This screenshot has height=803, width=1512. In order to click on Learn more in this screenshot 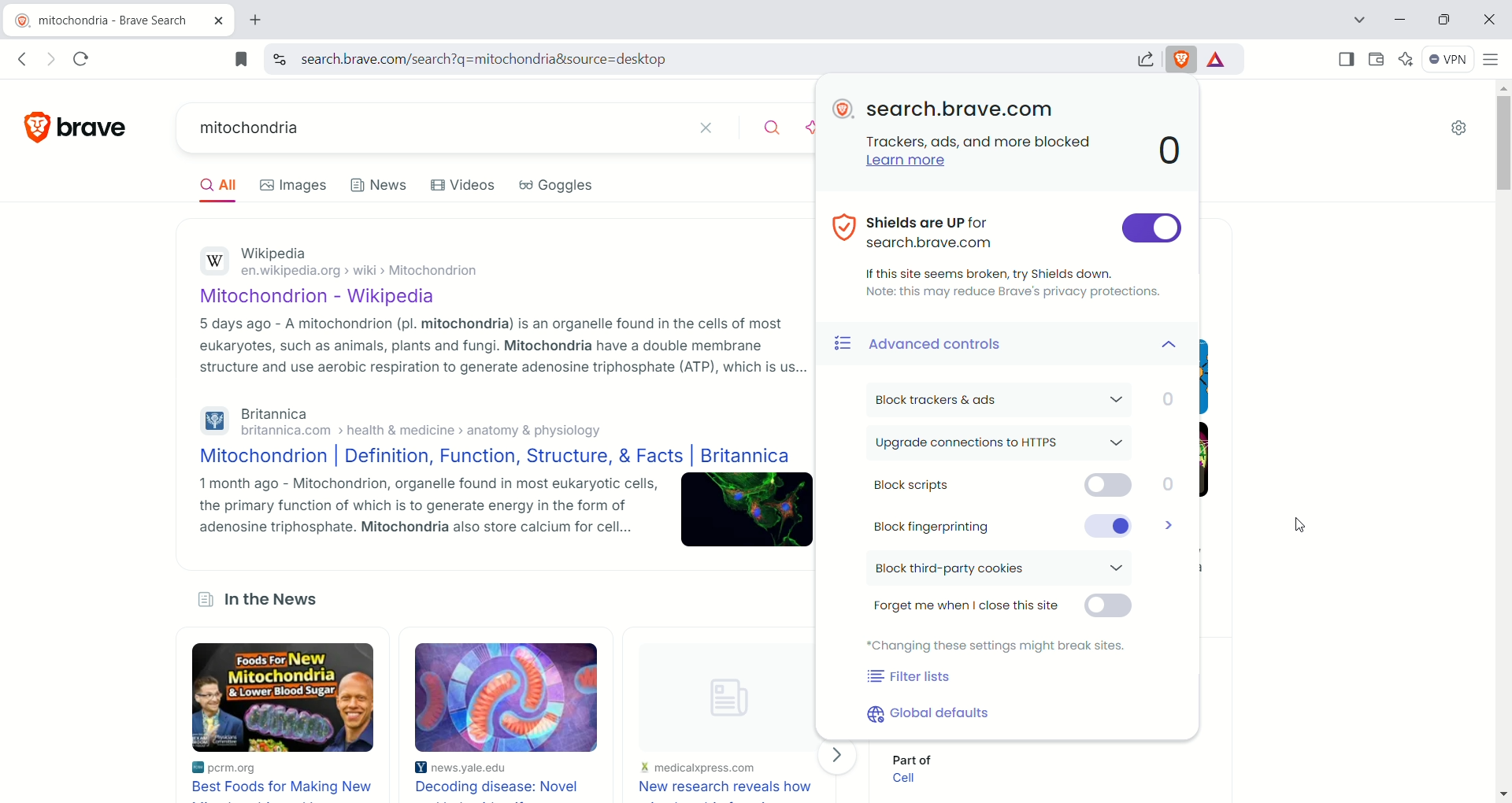, I will do `click(898, 161)`.